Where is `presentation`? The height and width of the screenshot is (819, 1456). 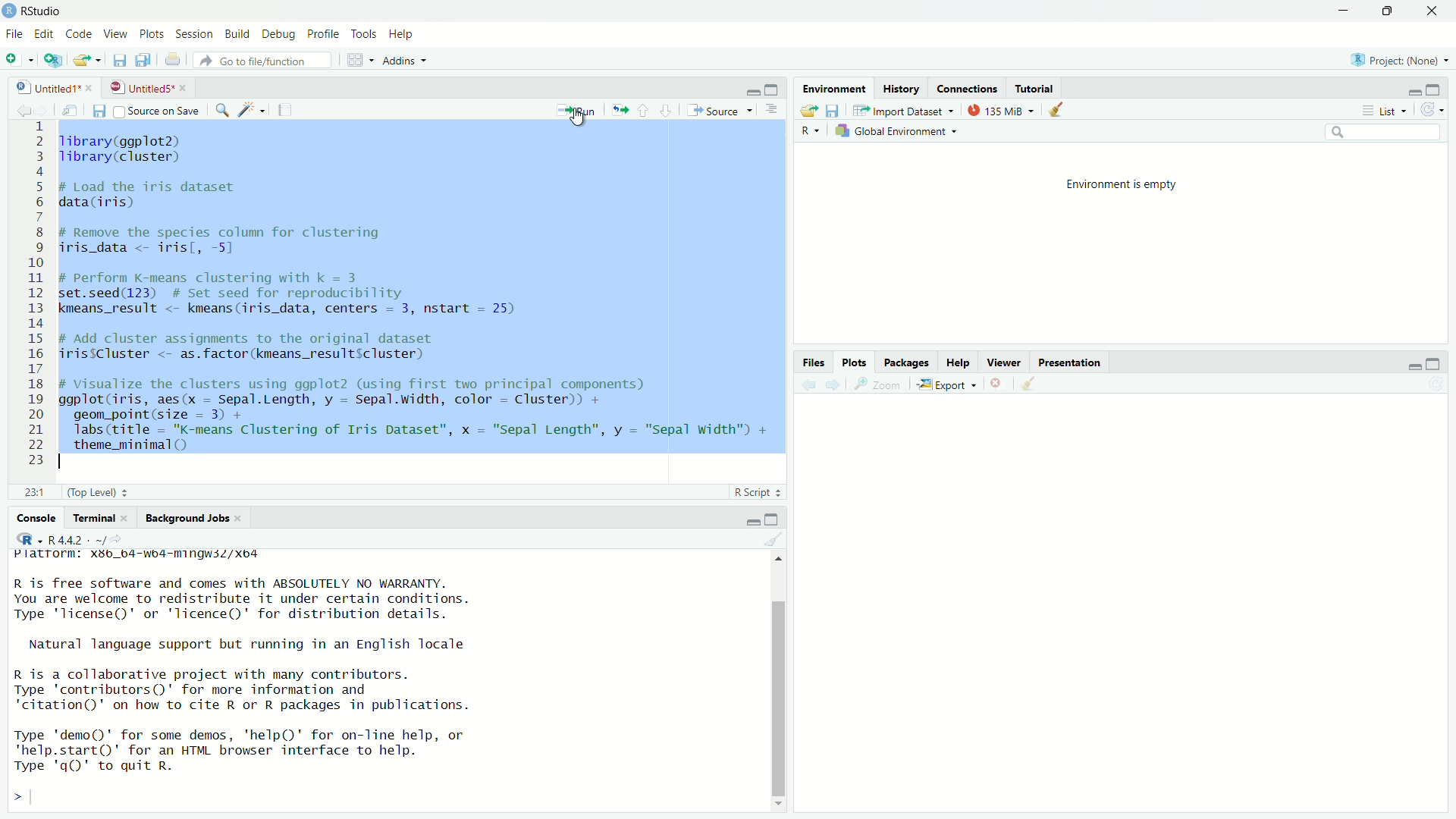
presentation is located at coordinates (1076, 362).